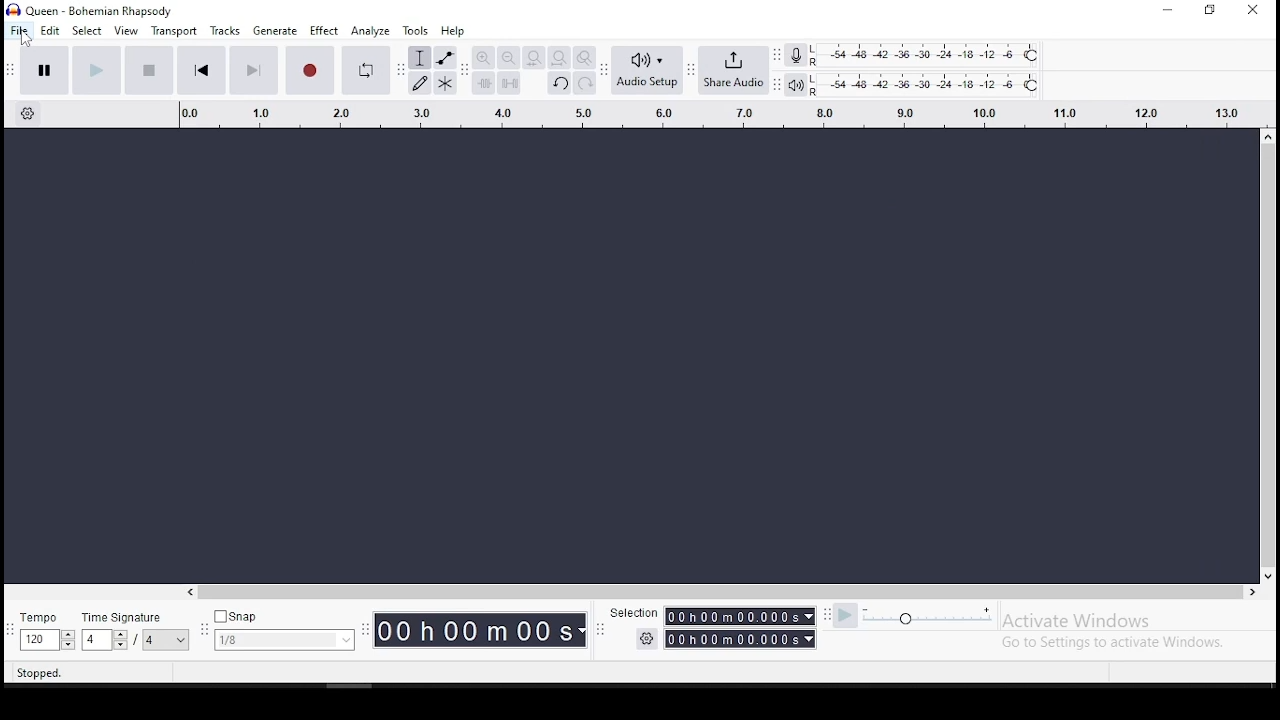 The image size is (1280, 720). I want to click on tracks, so click(225, 31).